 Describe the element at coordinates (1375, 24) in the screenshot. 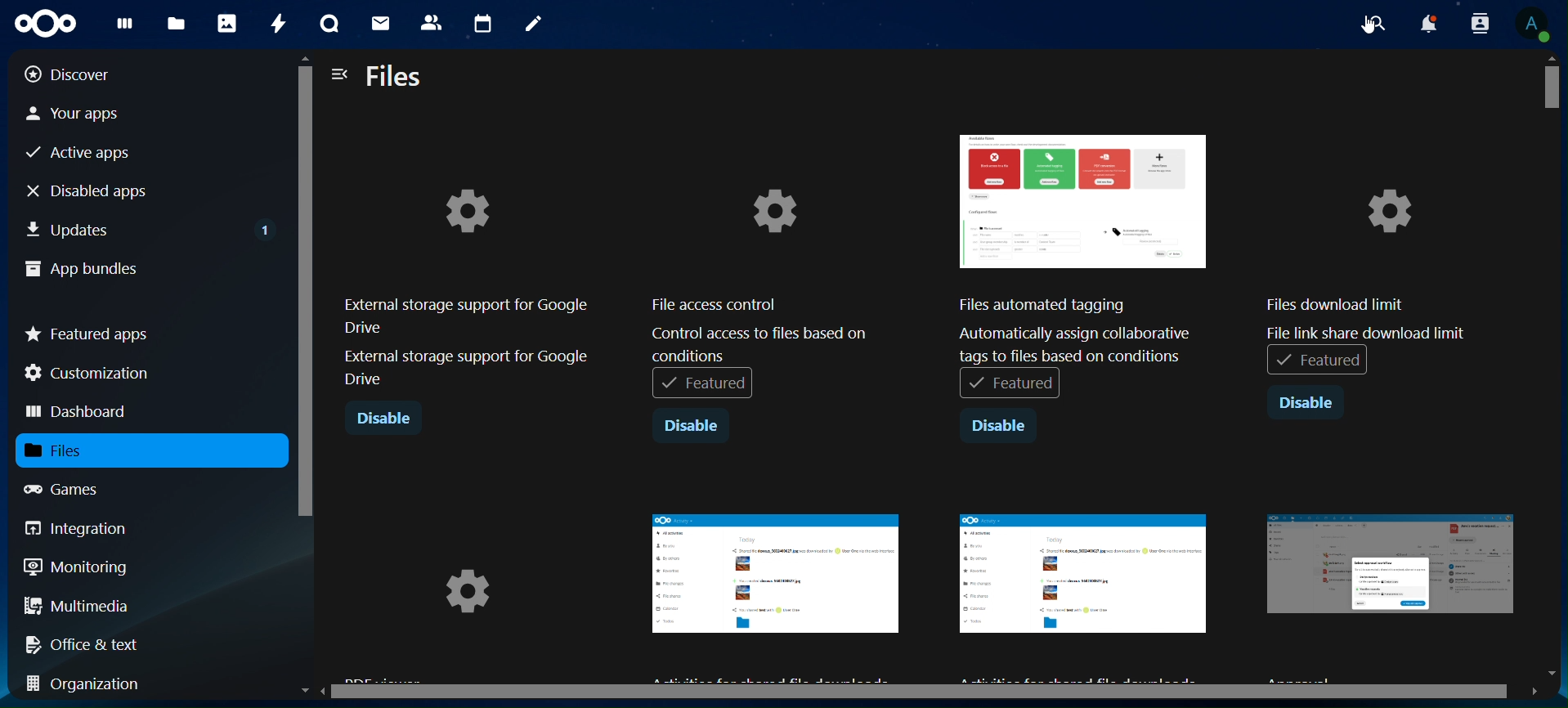

I see `search` at that location.